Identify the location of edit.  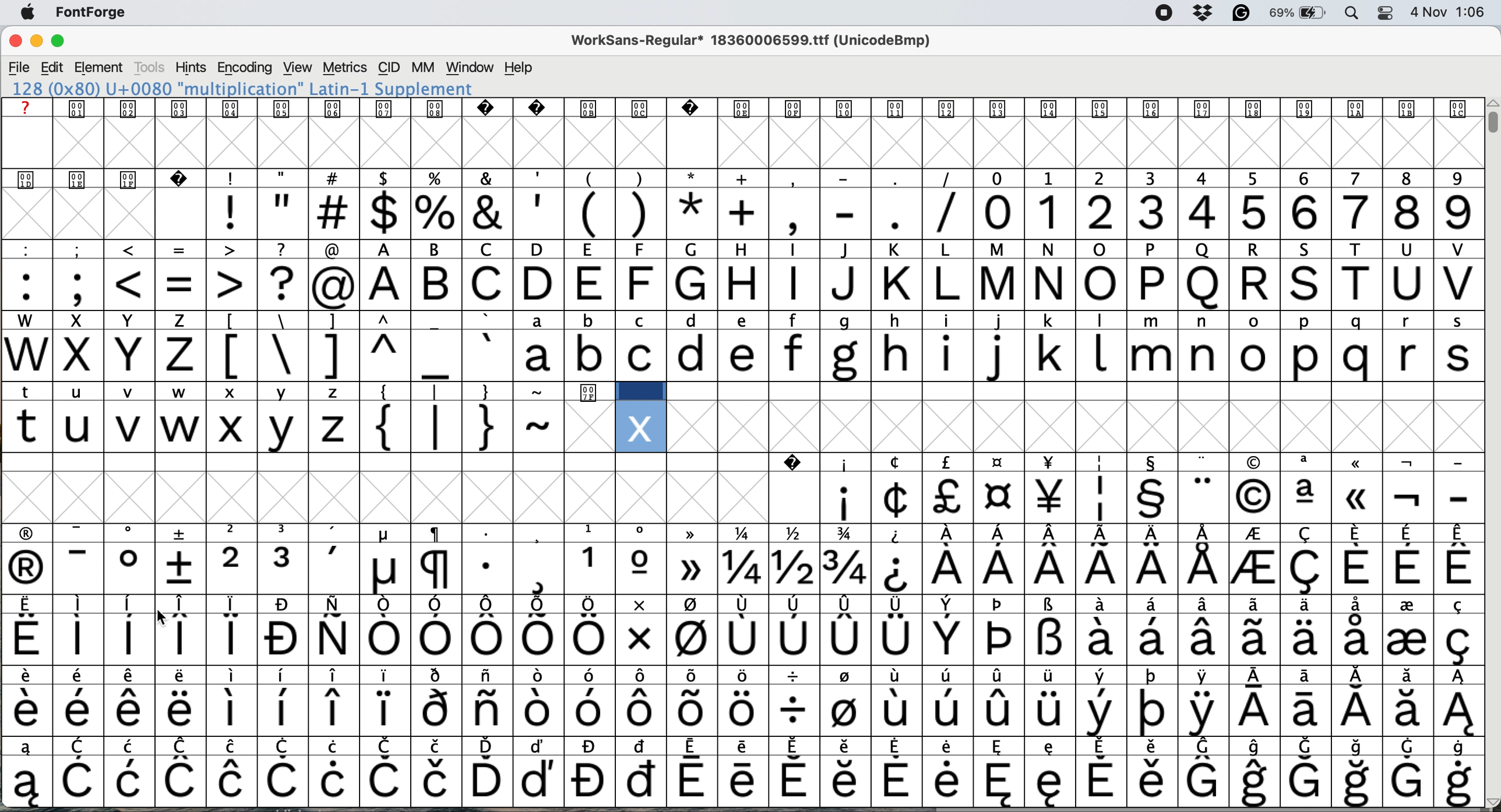
(54, 67).